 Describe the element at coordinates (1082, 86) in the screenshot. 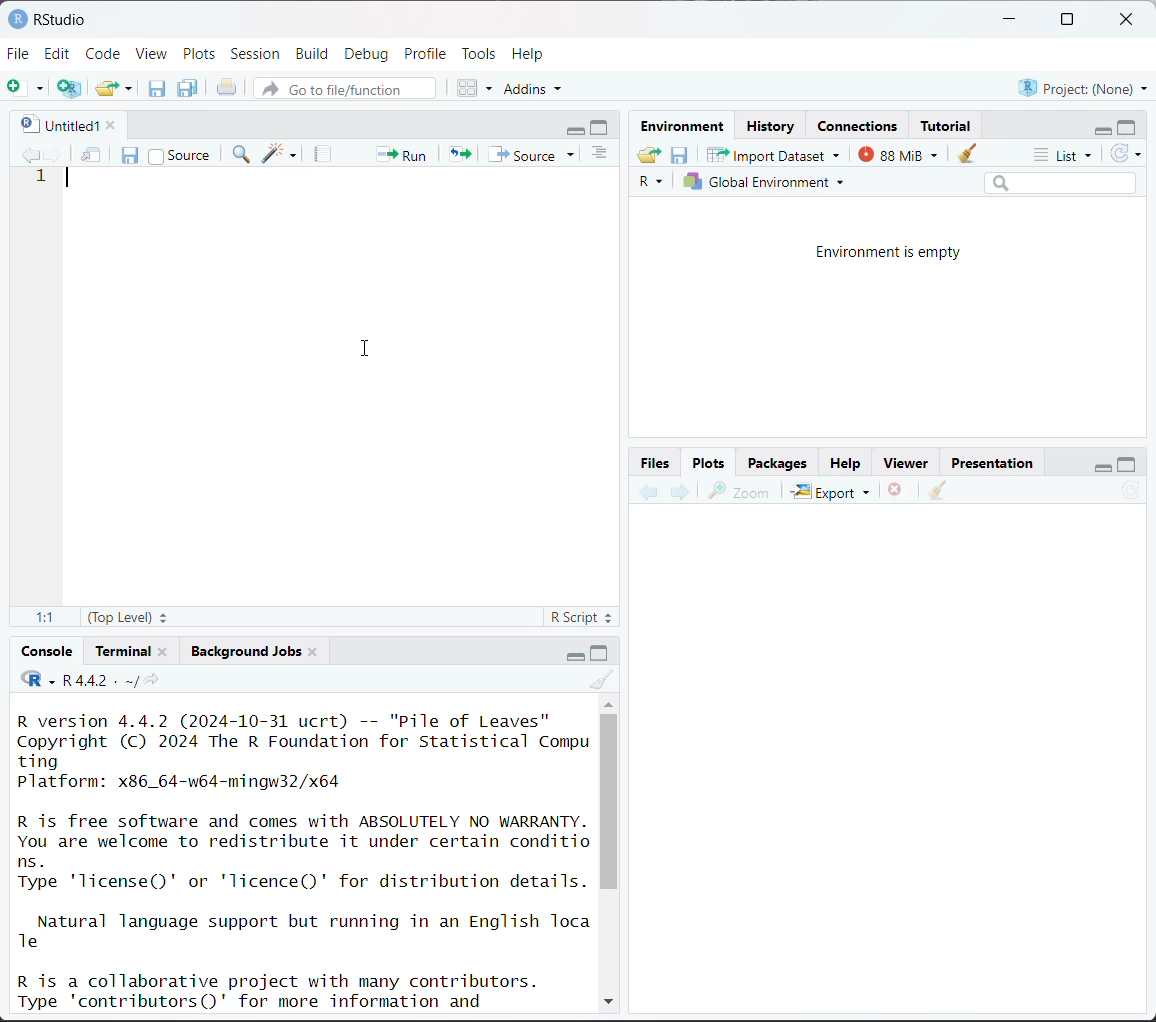

I see `Project:(None)` at that location.